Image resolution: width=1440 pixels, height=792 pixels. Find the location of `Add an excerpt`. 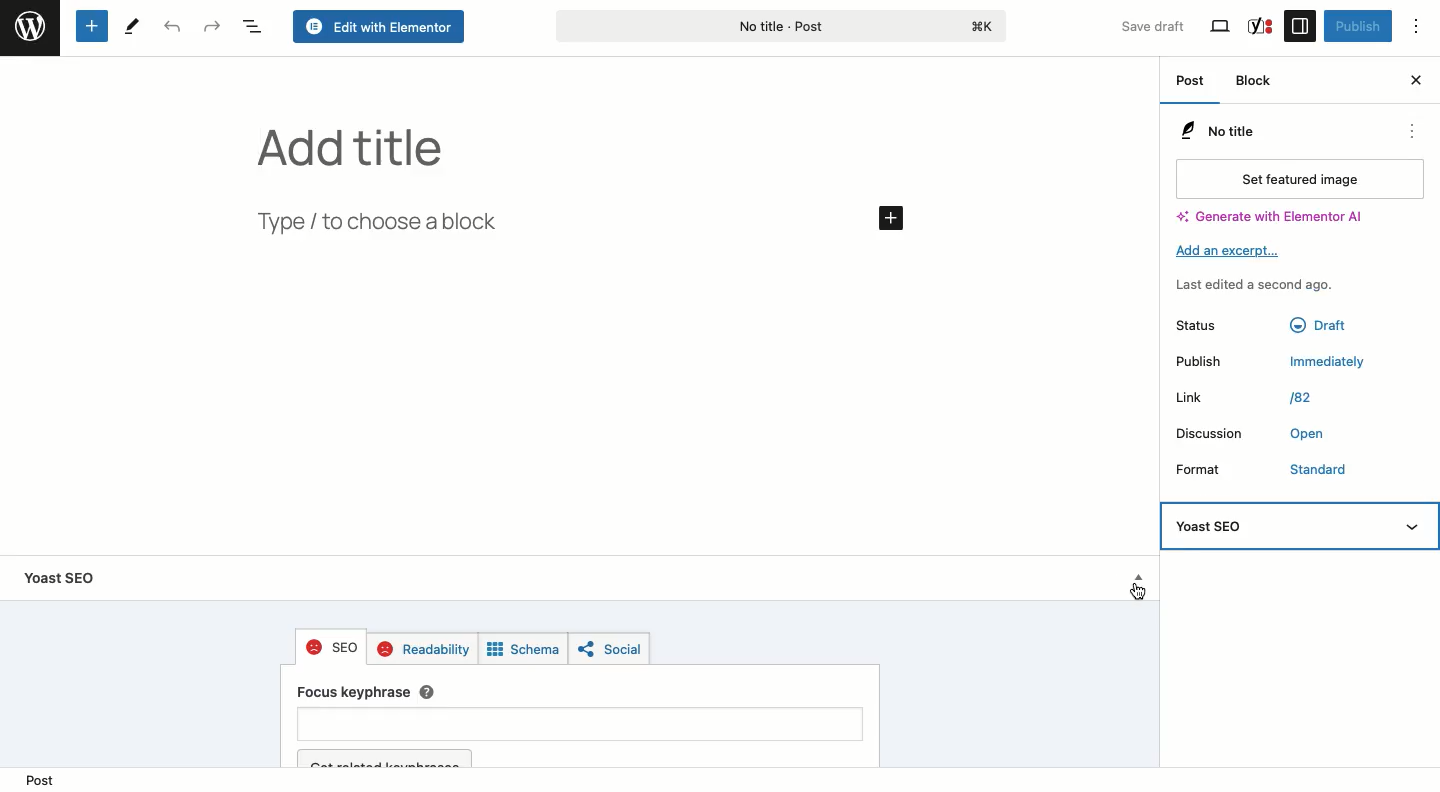

Add an excerpt is located at coordinates (1235, 251).